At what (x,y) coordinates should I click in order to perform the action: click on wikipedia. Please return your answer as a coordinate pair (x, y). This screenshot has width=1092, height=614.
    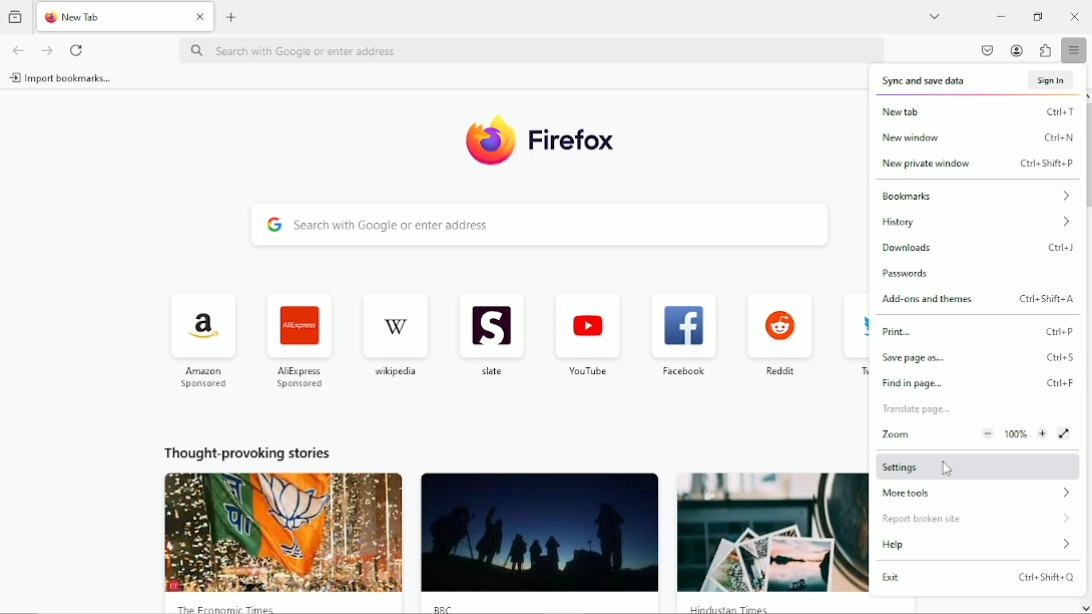
    Looking at the image, I should click on (397, 371).